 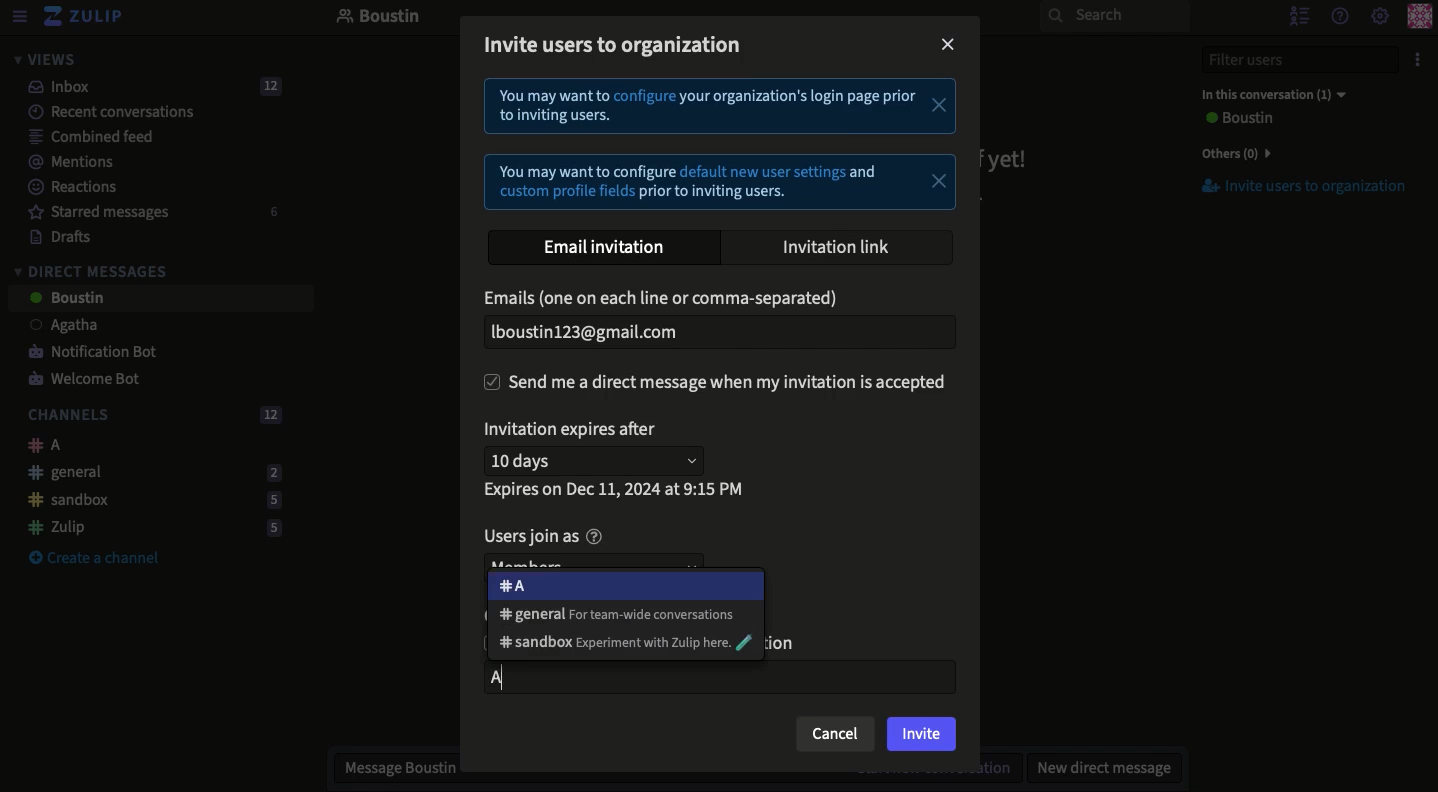 What do you see at coordinates (80, 136) in the screenshot?
I see `Combined feed` at bounding box center [80, 136].